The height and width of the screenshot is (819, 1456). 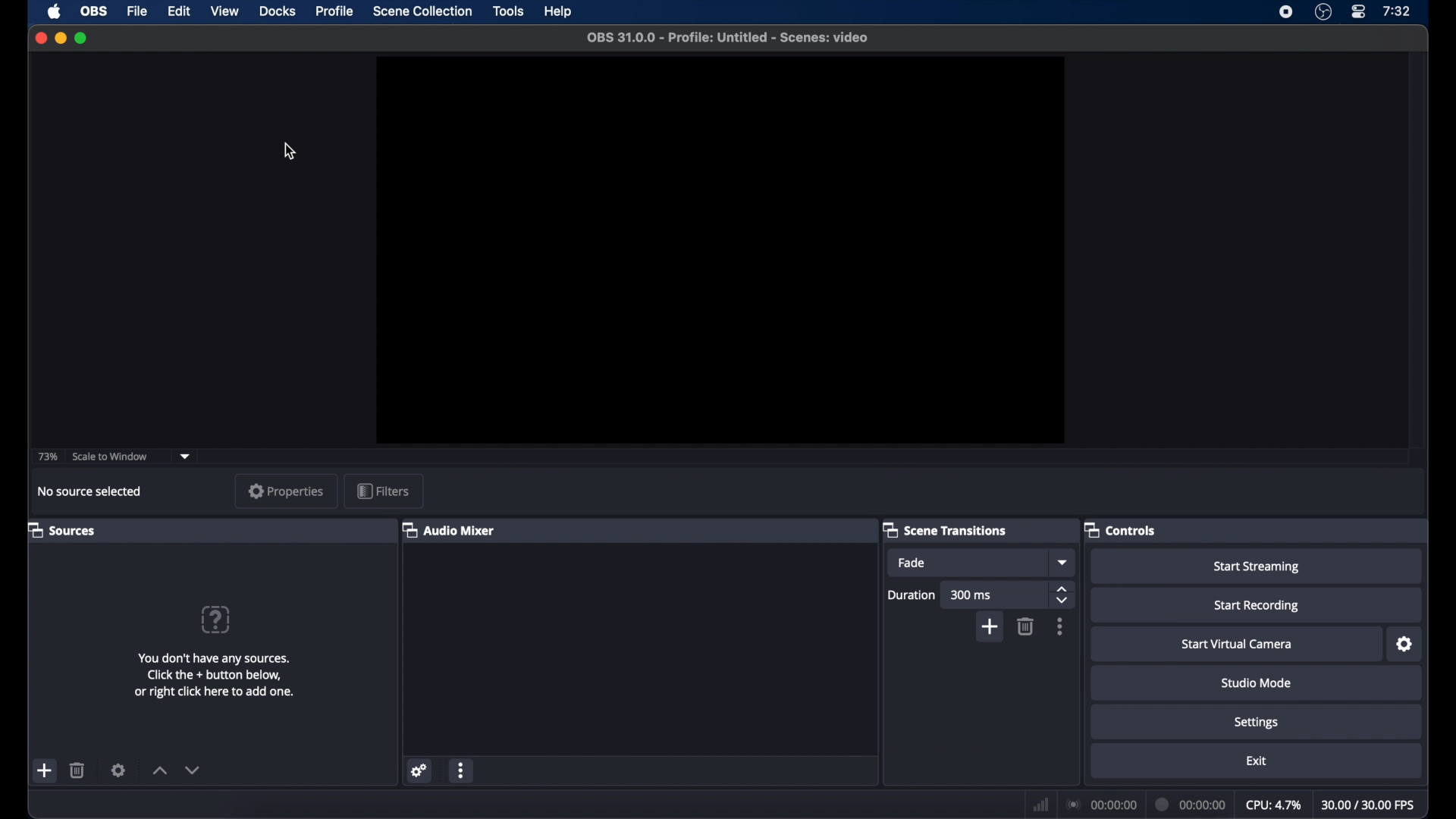 What do you see at coordinates (1064, 595) in the screenshot?
I see `duration stepper buttons` at bounding box center [1064, 595].